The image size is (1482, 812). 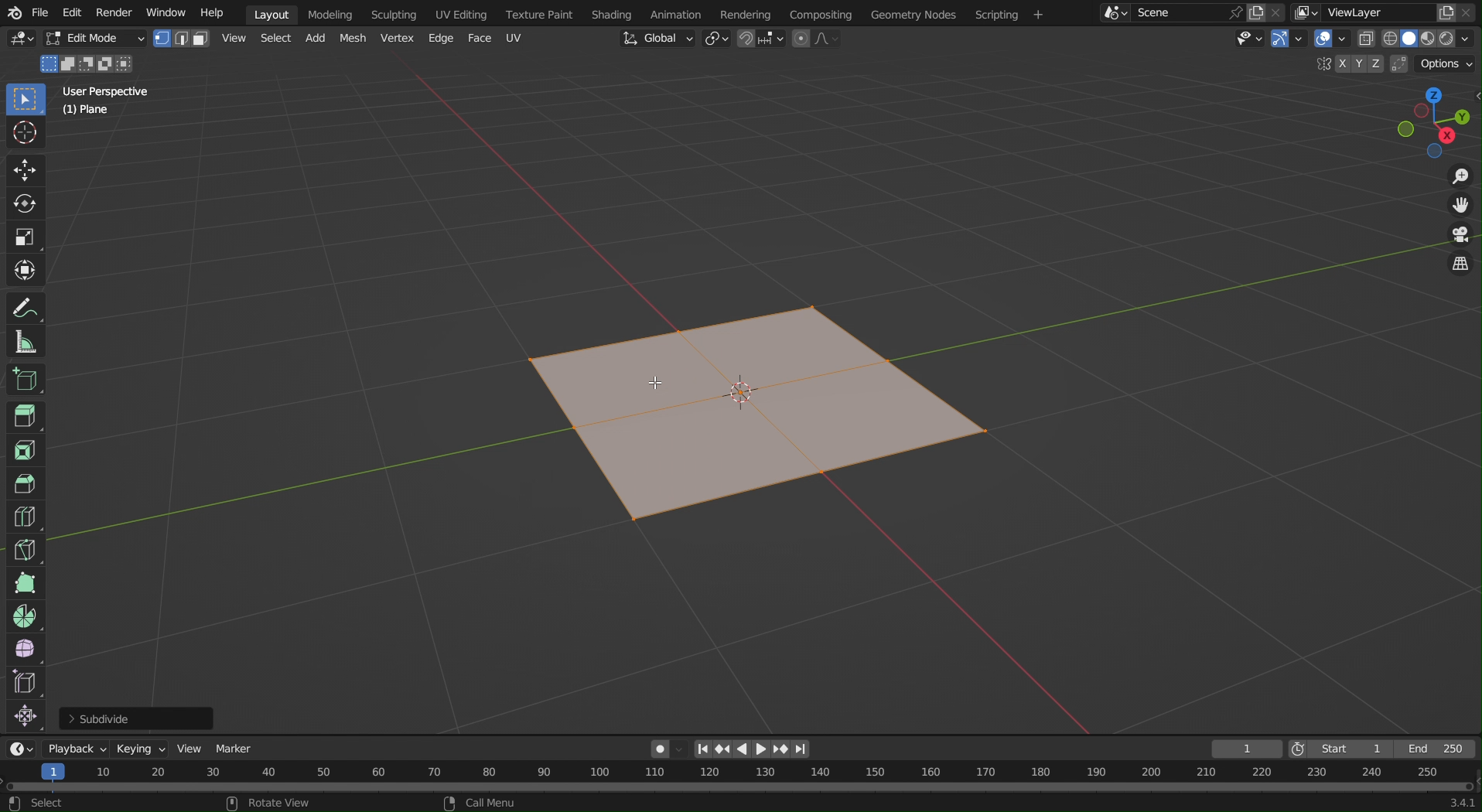 I want to click on Geometry Nodes, so click(x=912, y=13).